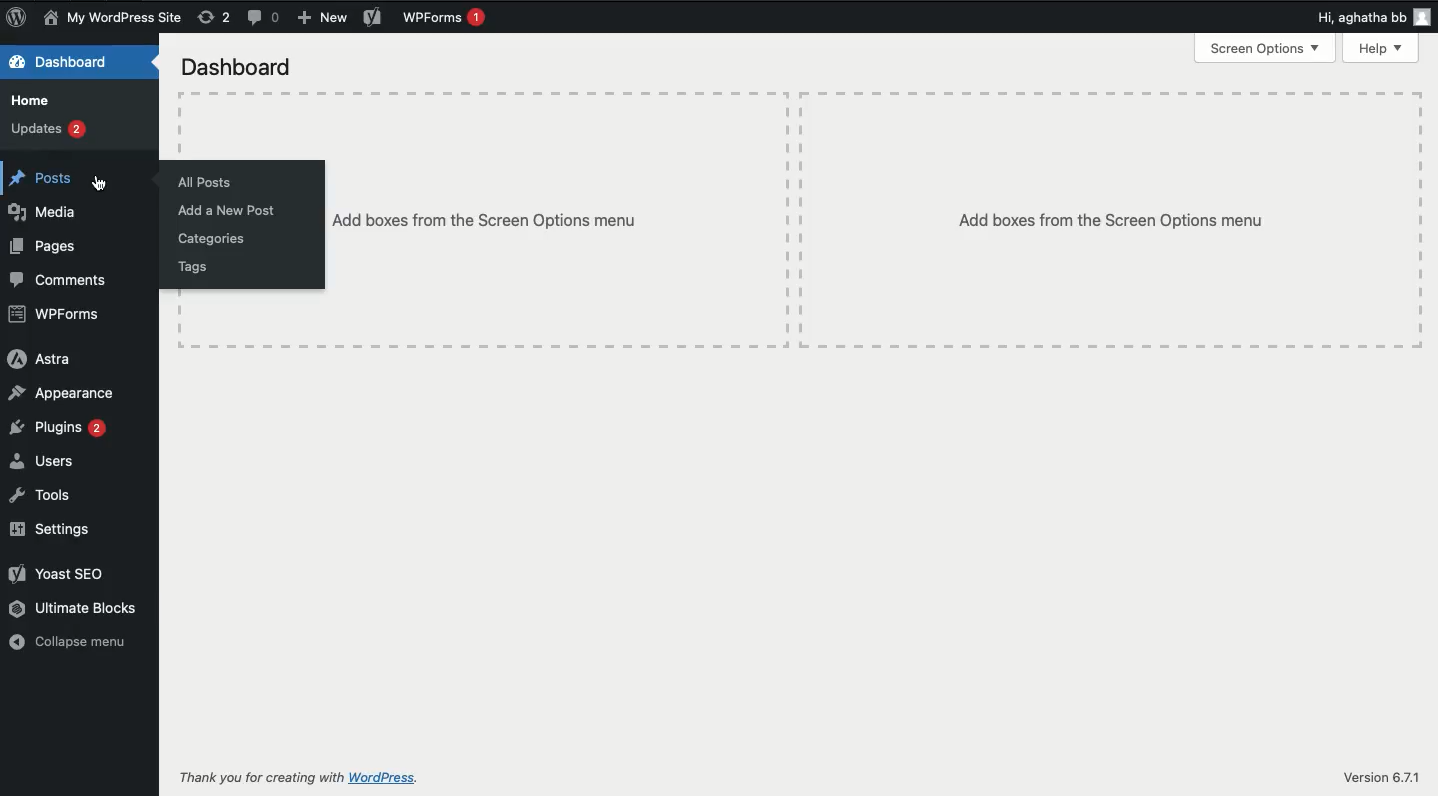  I want to click on Pages, so click(50, 249).